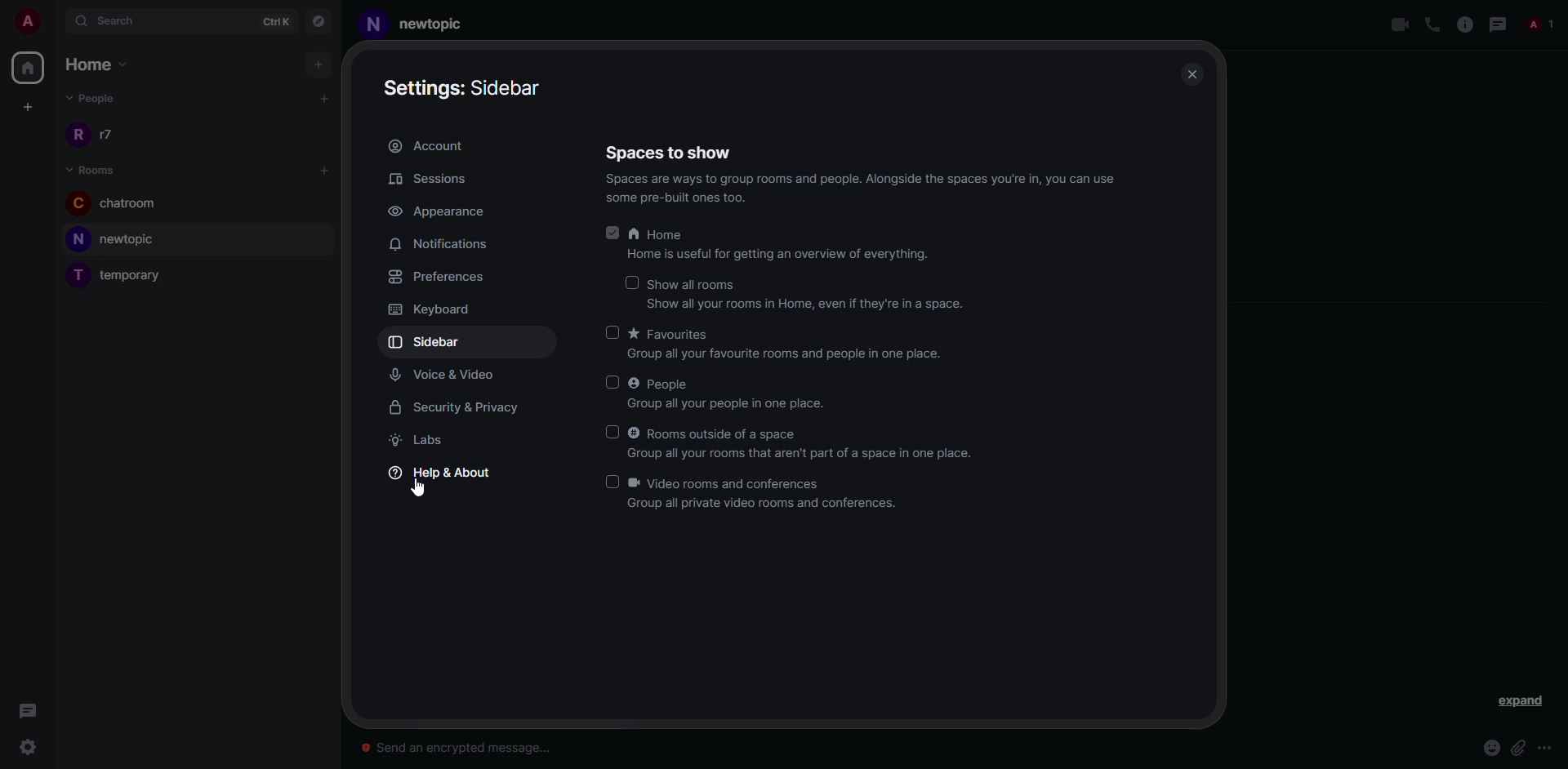 The image size is (1568, 769). I want to click on labs, so click(422, 442).